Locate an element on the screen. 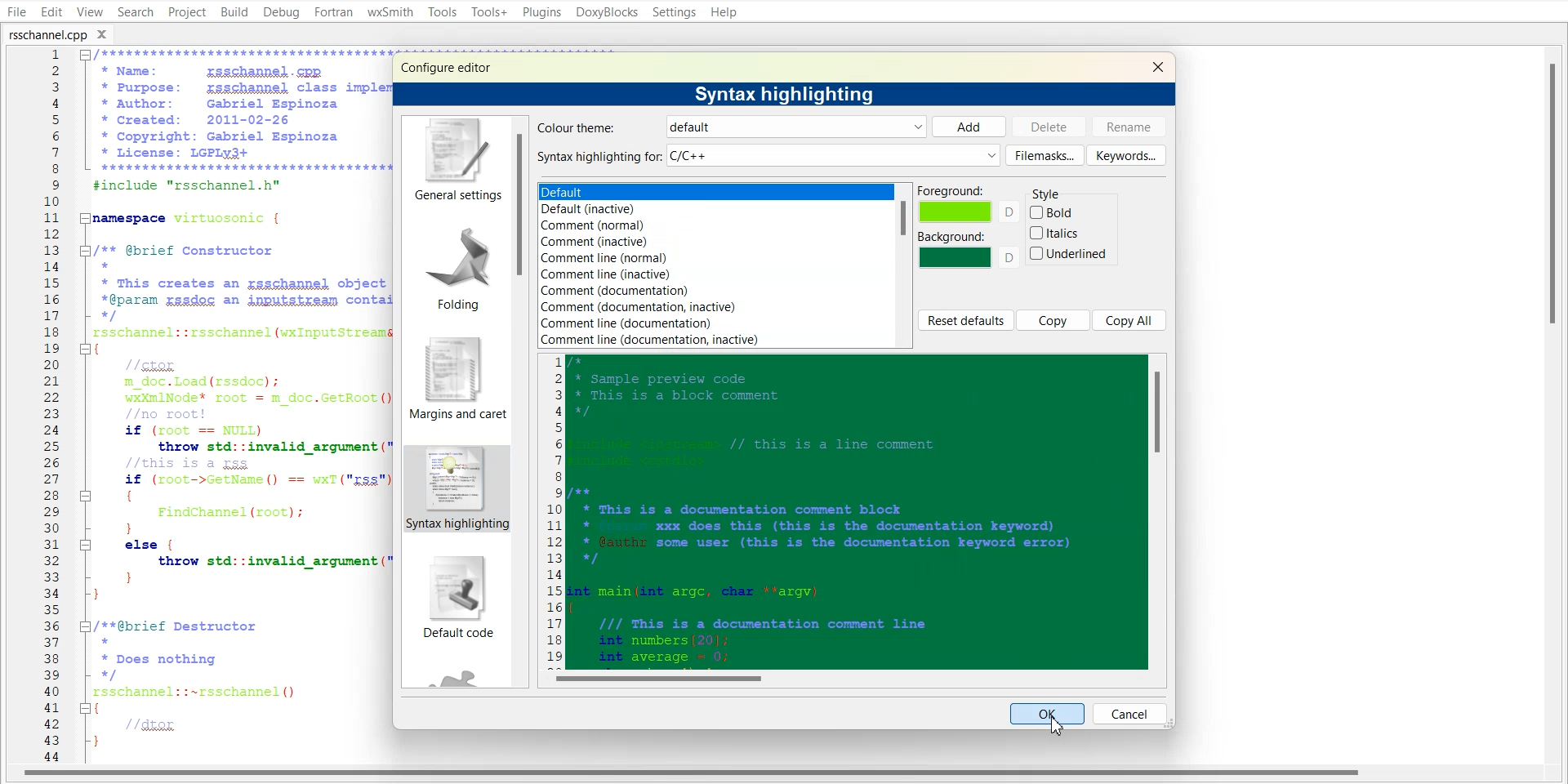 This screenshot has height=784, width=1568. Edit is located at coordinates (51, 11).